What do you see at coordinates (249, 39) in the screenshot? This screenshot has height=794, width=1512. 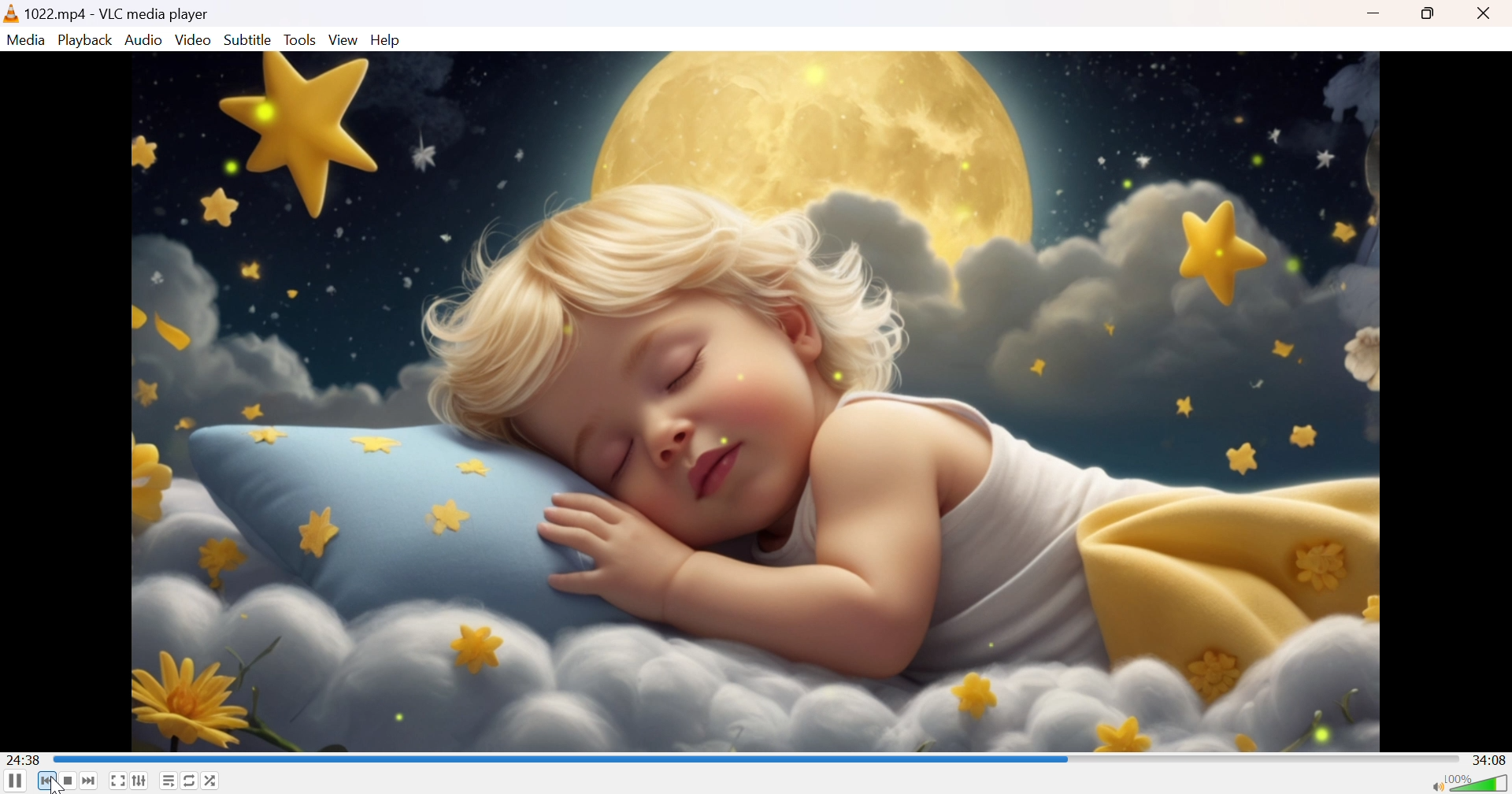 I see `Subtitle` at bounding box center [249, 39].